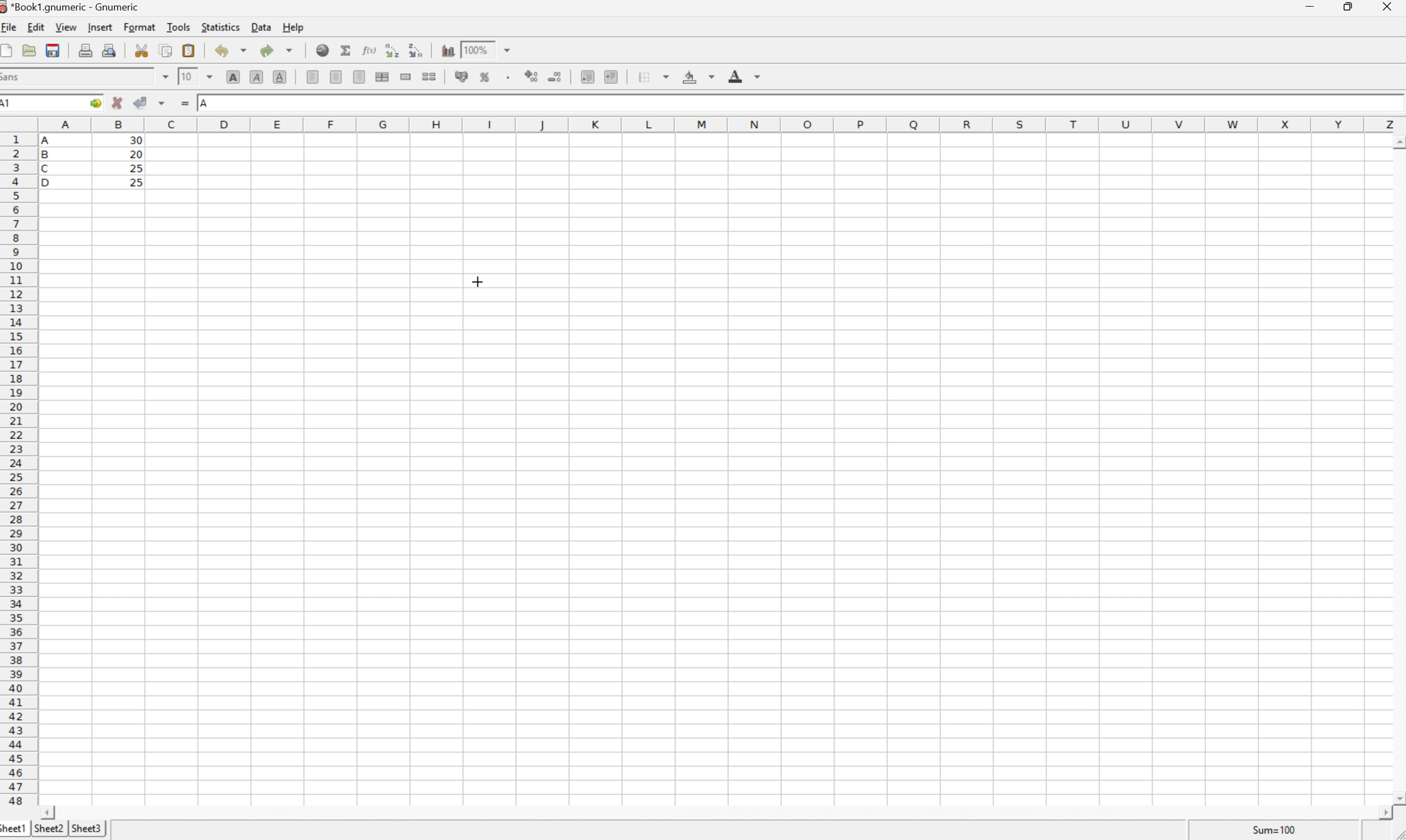 Image resolution: width=1406 pixels, height=840 pixels. Describe the element at coordinates (532, 78) in the screenshot. I see `Increase number of decimals displayed` at that location.